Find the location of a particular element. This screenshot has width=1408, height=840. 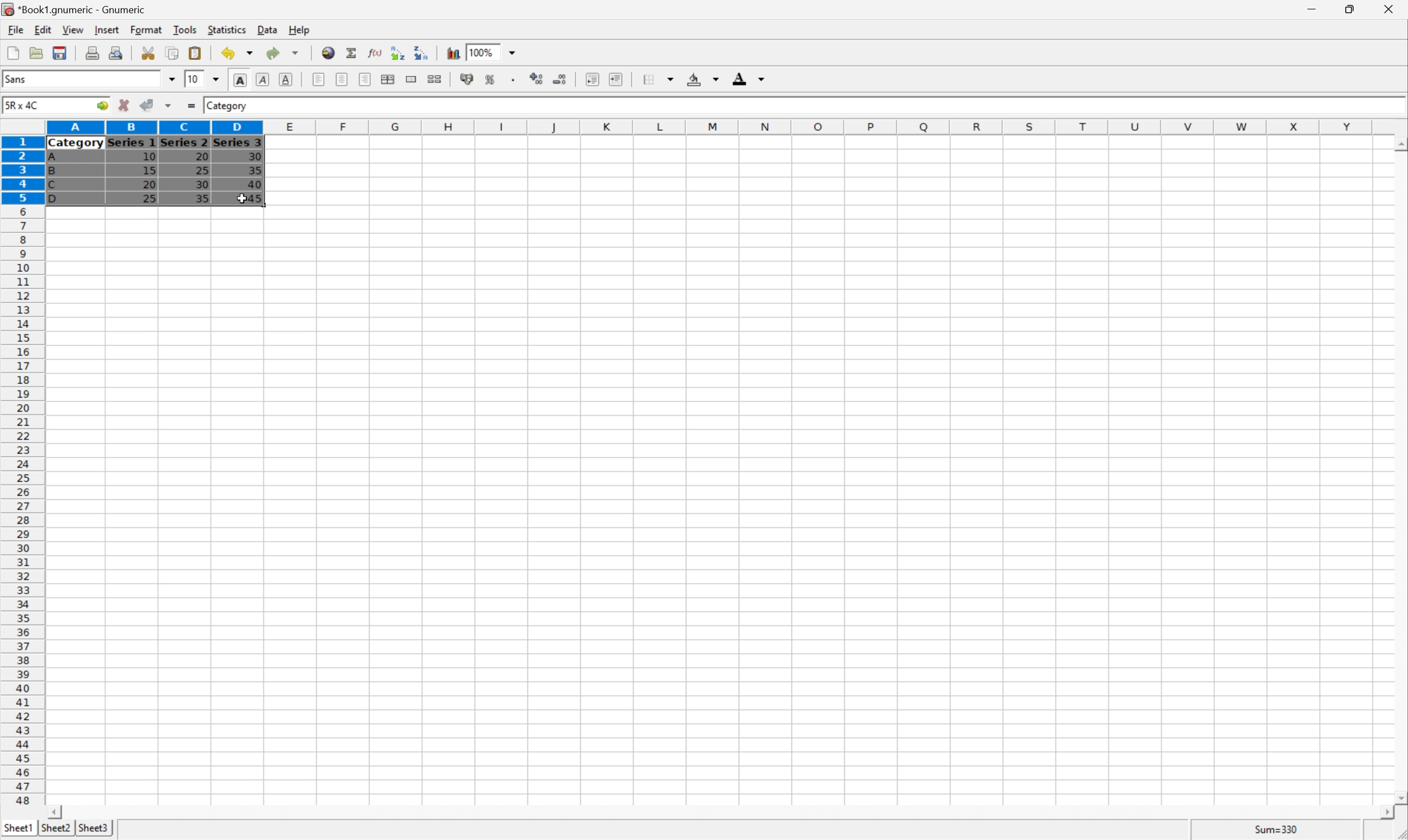

Data is located at coordinates (268, 28).